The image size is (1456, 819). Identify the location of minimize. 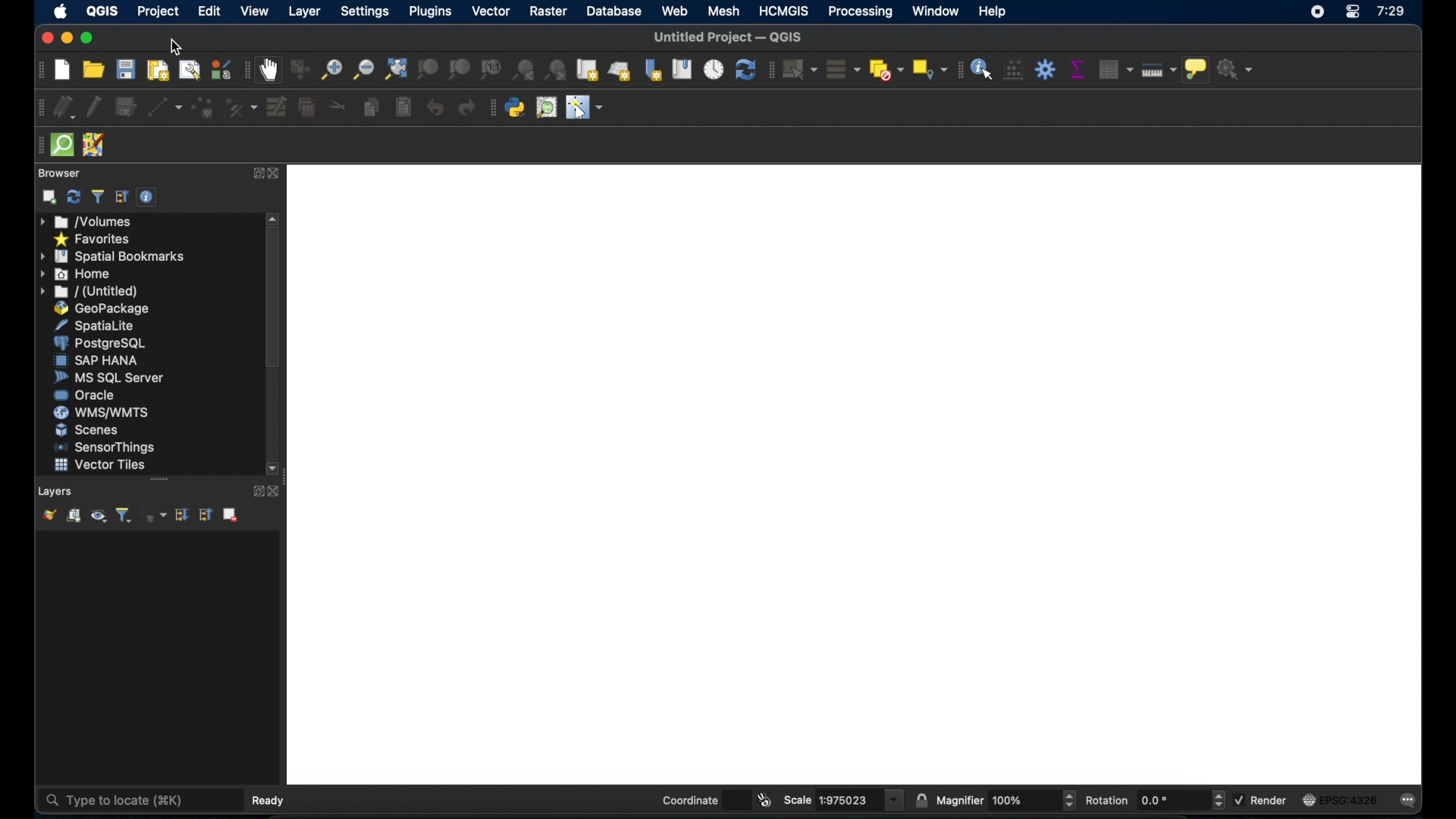
(67, 36).